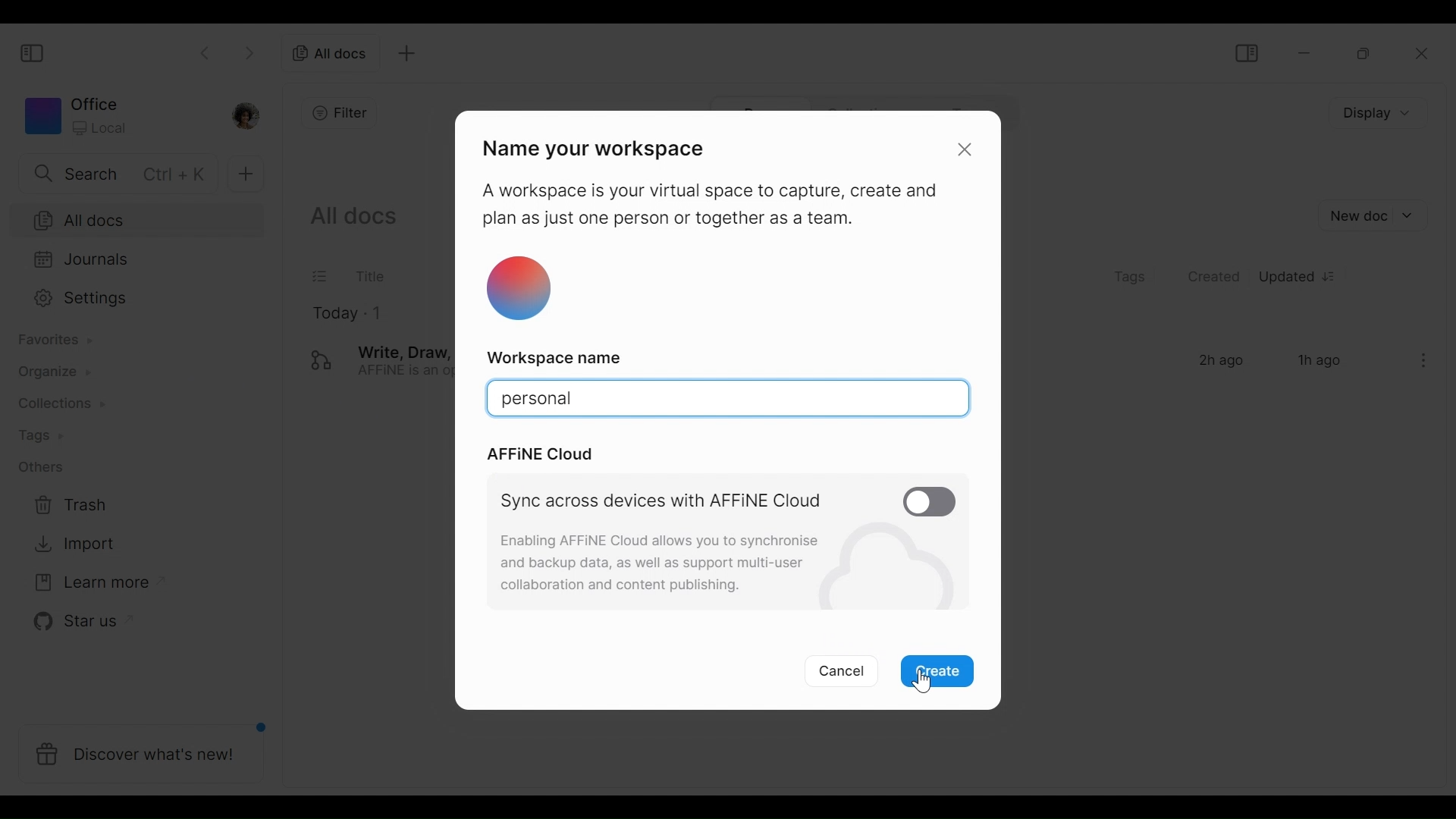  I want to click on Go forward, so click(248, 55).